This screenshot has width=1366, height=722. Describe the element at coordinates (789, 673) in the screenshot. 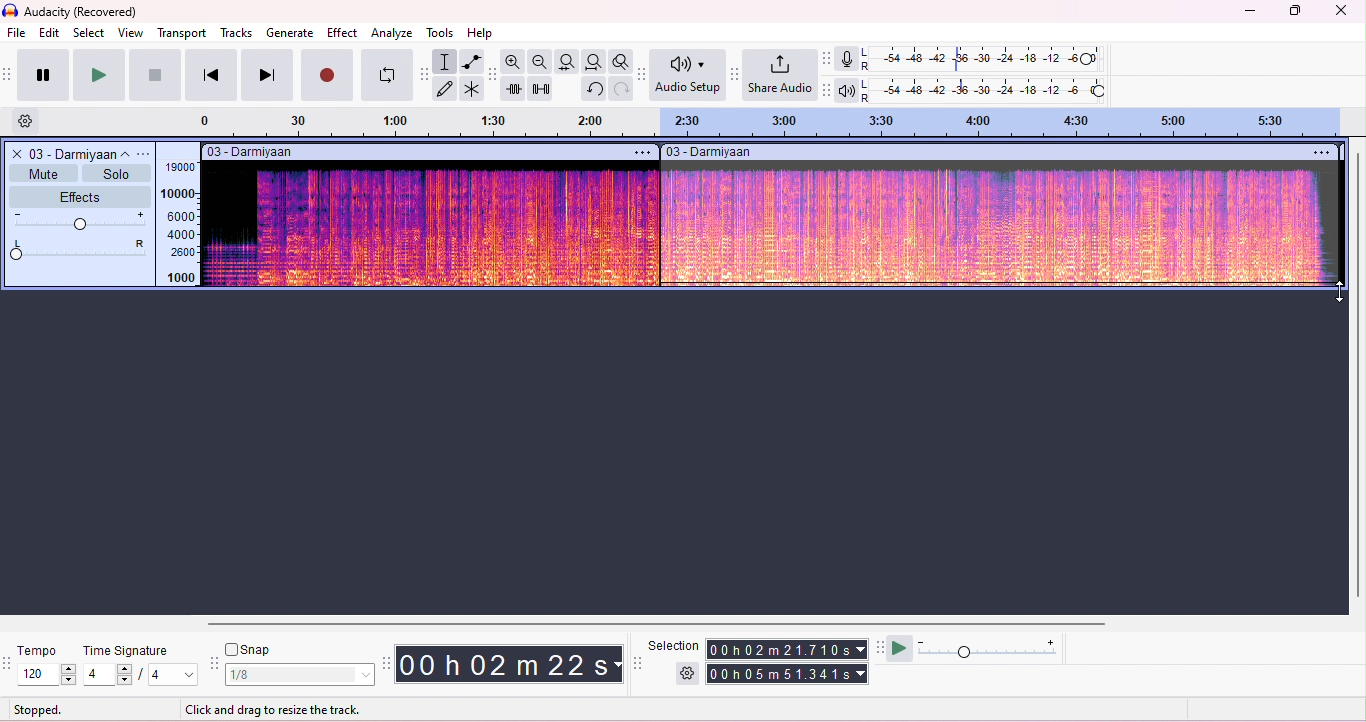

I see `selected time` at that location.